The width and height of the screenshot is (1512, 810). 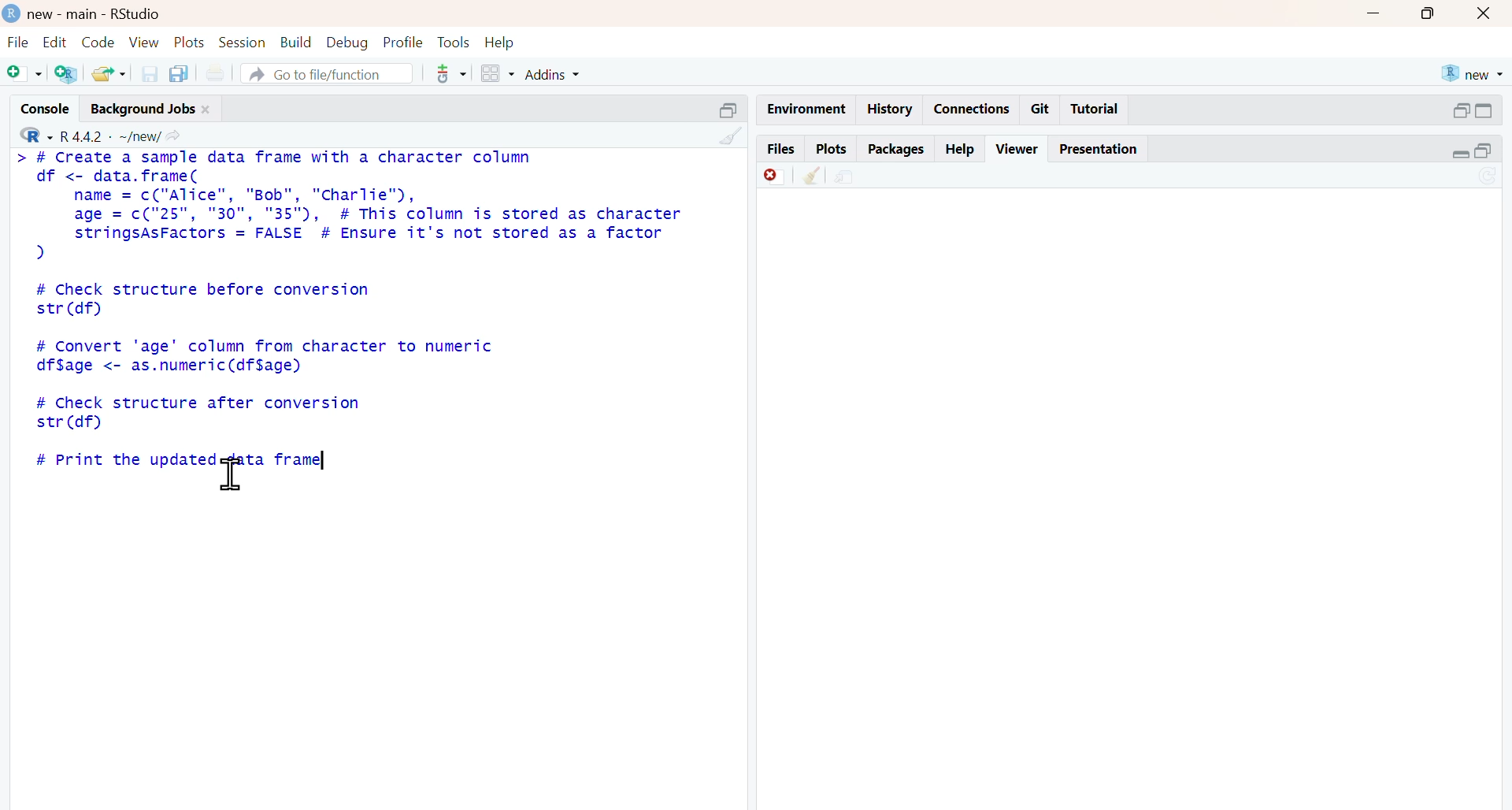 What do you see at coordinates (326, 74) in the screenshot?
I see `go to file/function` at bounding box center [326, 74].